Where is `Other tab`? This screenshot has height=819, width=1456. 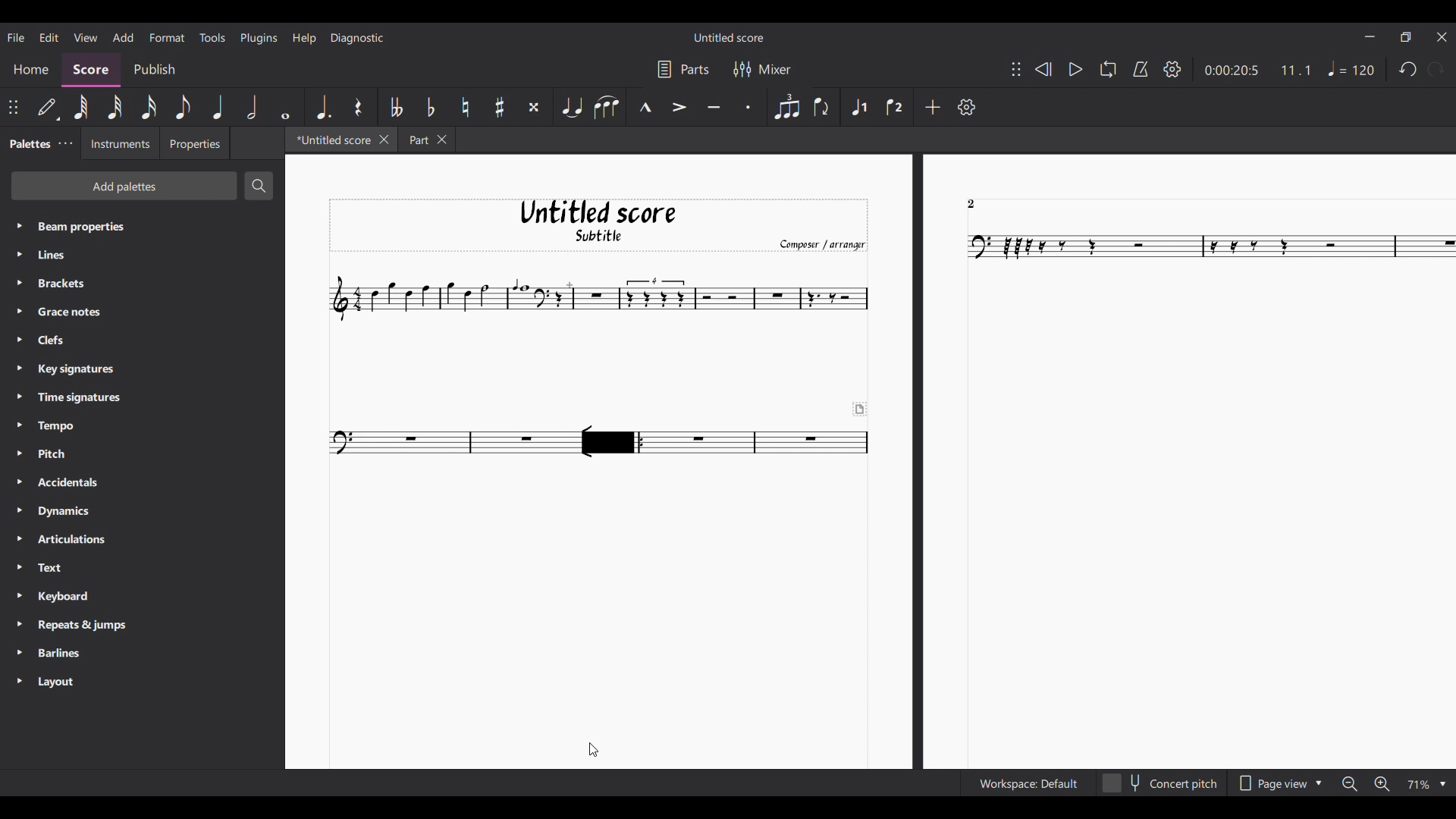
Other tab is located at coordinates (426, 140).